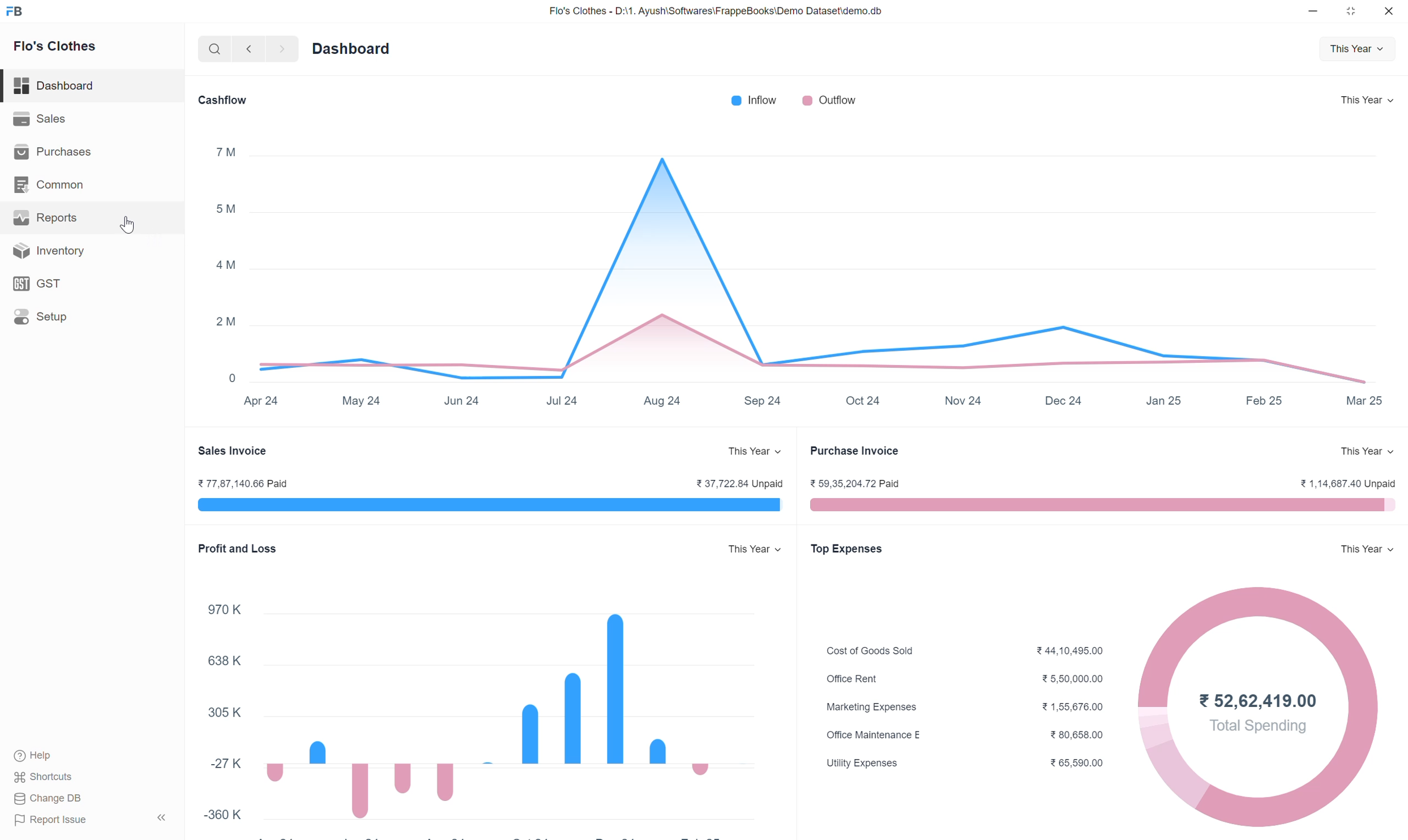  Describe the element at coordinates (864, 679) in the screenshot. I see `Office Rent` at that location.